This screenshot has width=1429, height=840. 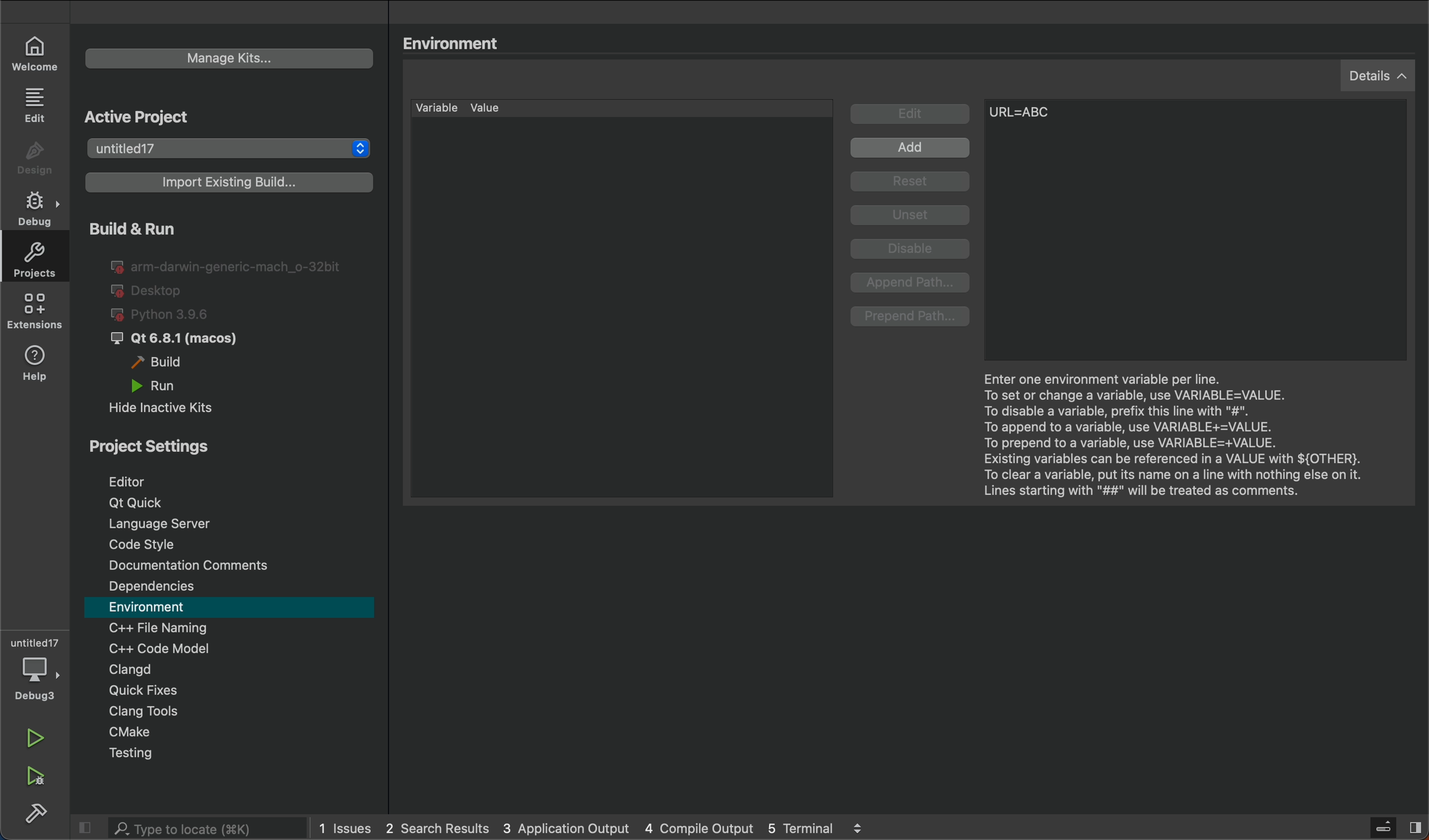 I want to click on help, so click(x=36, y=366).